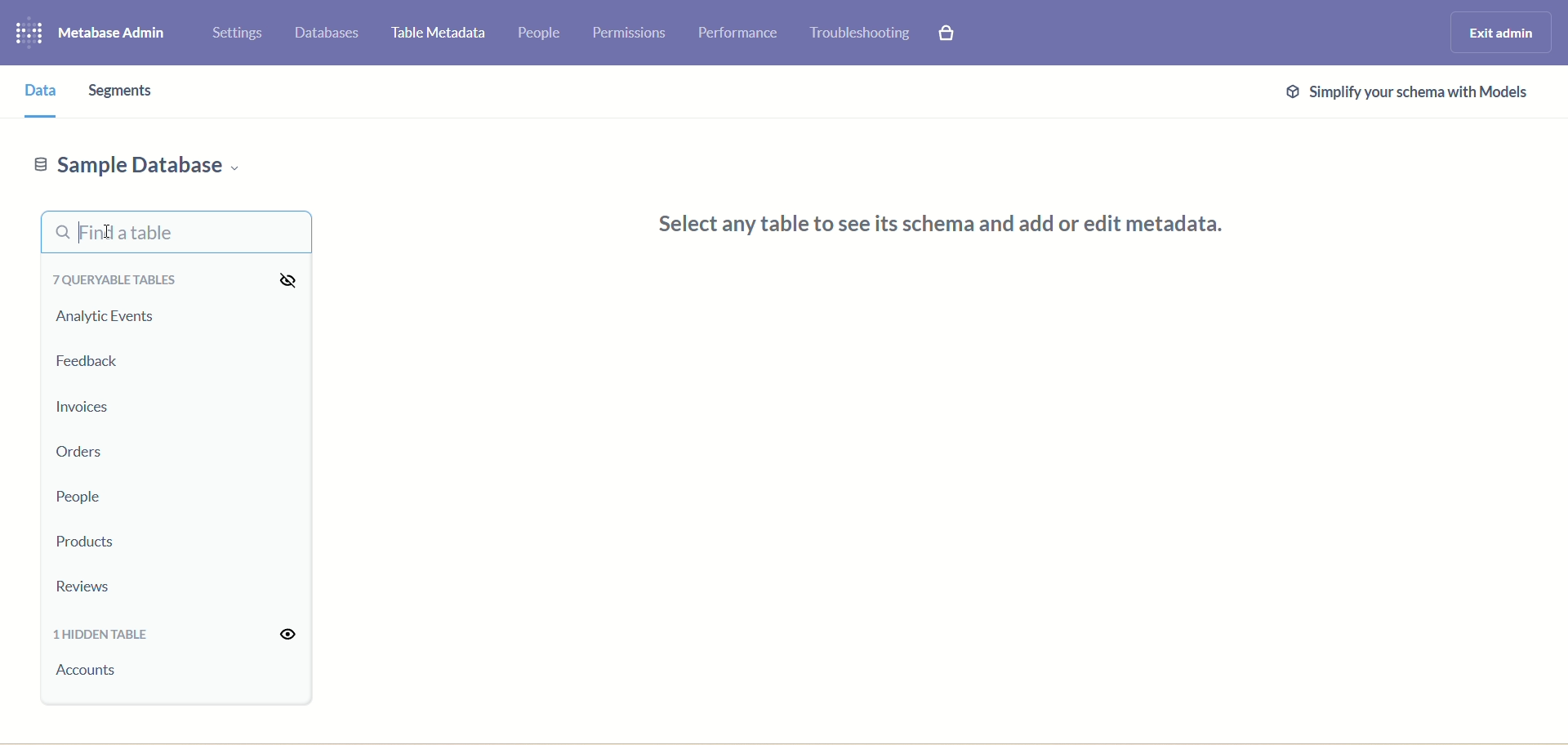 The height and width of the screenshot is (745, 1568). What do you see at coordinates (37, 99) in the screenshot?
I see `data` at bounding box center [37, 99].